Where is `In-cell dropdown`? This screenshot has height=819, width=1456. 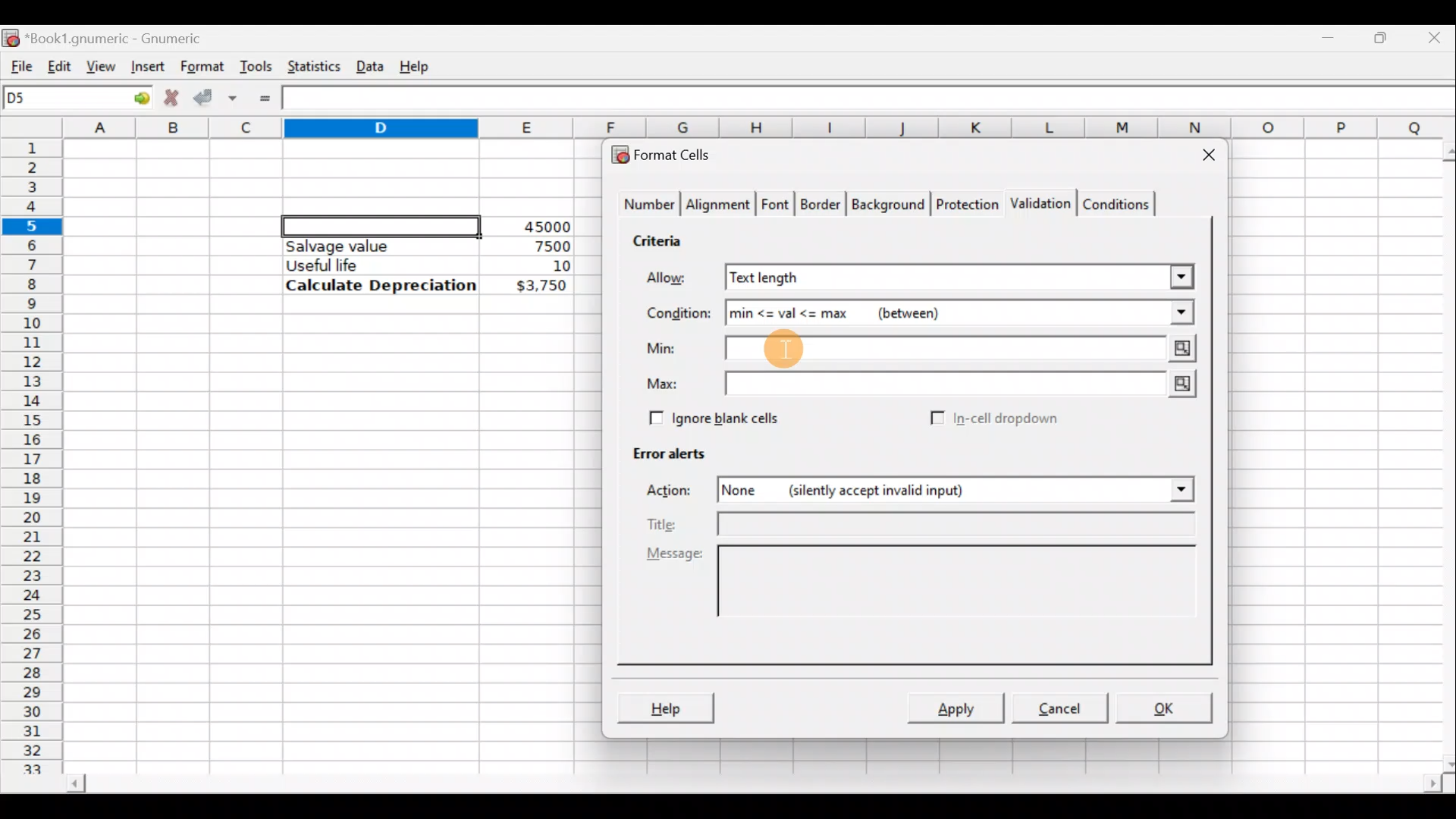
In-cell dropdown is located at coordinates (1009, 419).